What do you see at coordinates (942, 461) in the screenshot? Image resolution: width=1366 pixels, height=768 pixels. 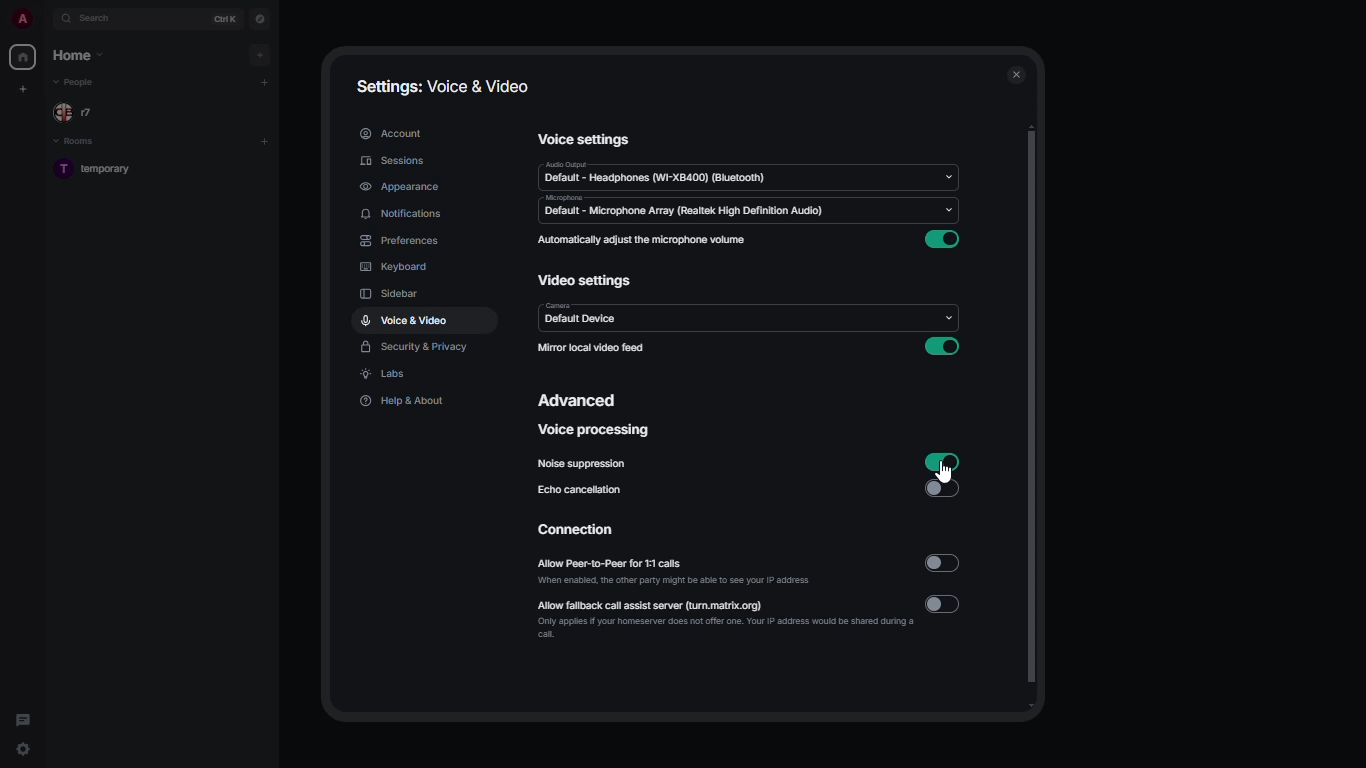 I see `enabled` at bounding box center [942, 461].